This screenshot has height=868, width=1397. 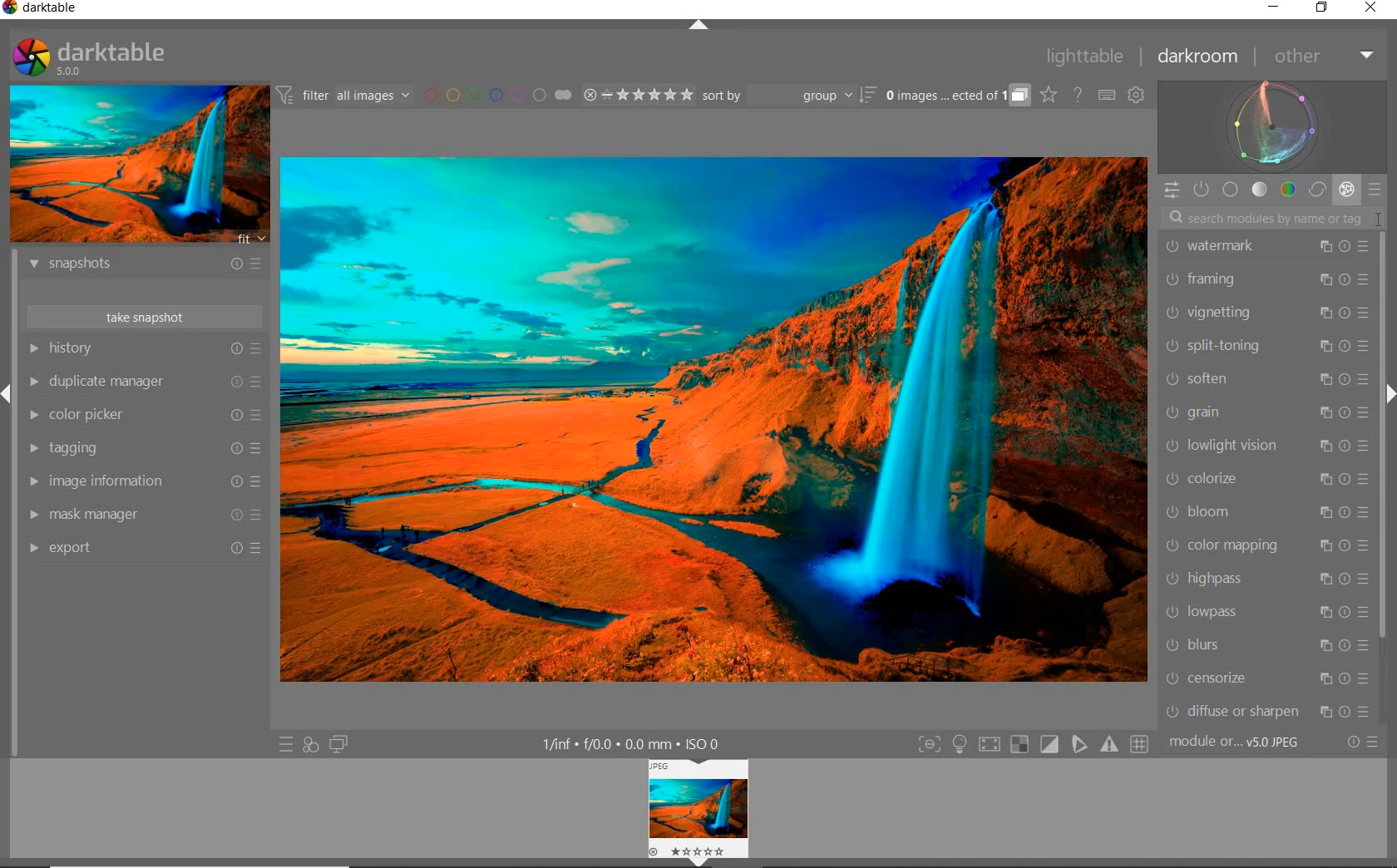 I want to click on CLICK TO CHANGE THE OVERLAYS SHOWN ON THUMBNAILS, so click(x=1049, y=95).